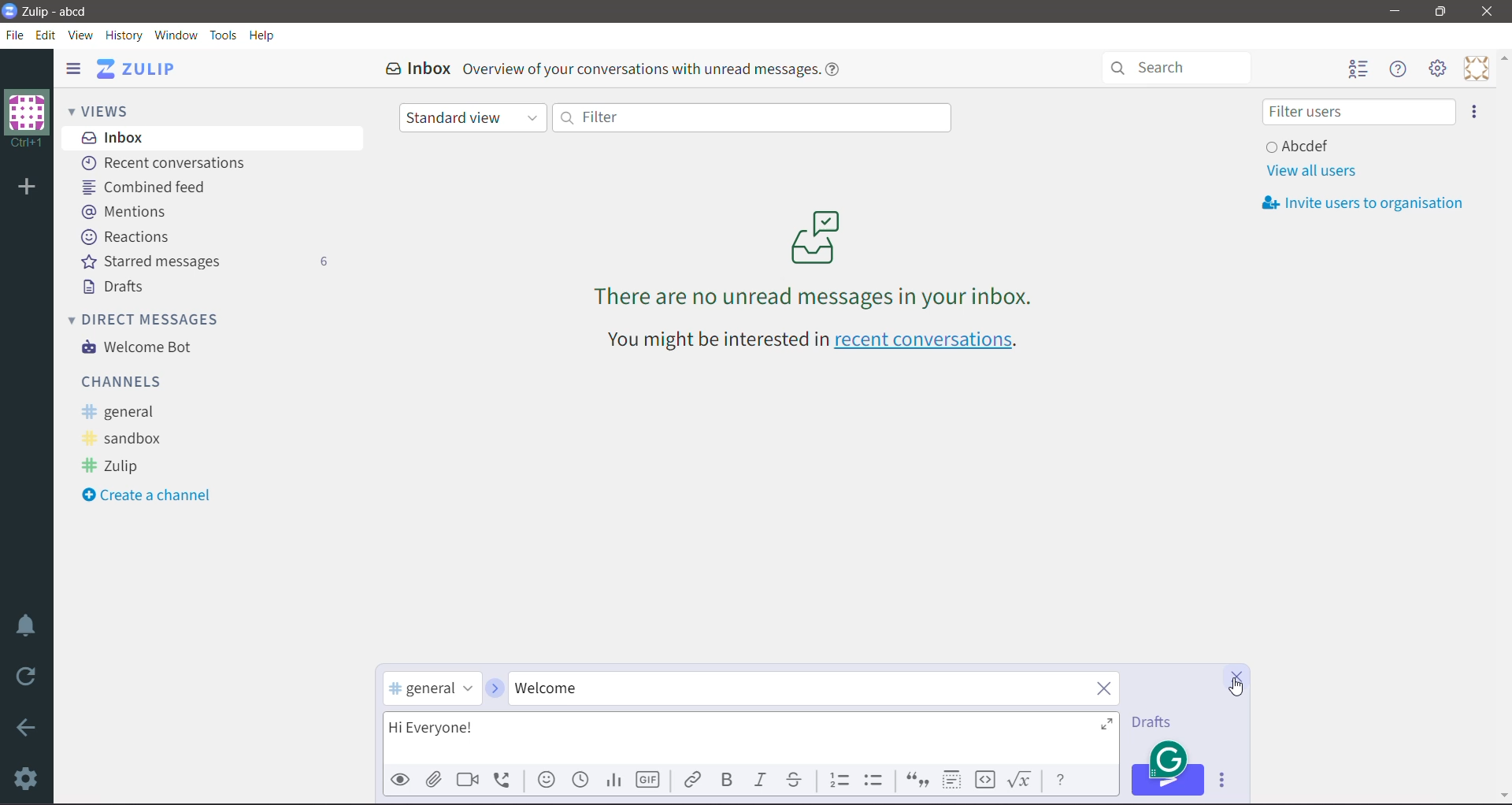 This screenshot has height=805, width=1512. What do you see at coordinates (224, 35) in the screenshot?
I see `Tools` at bounding box center [224, 35].